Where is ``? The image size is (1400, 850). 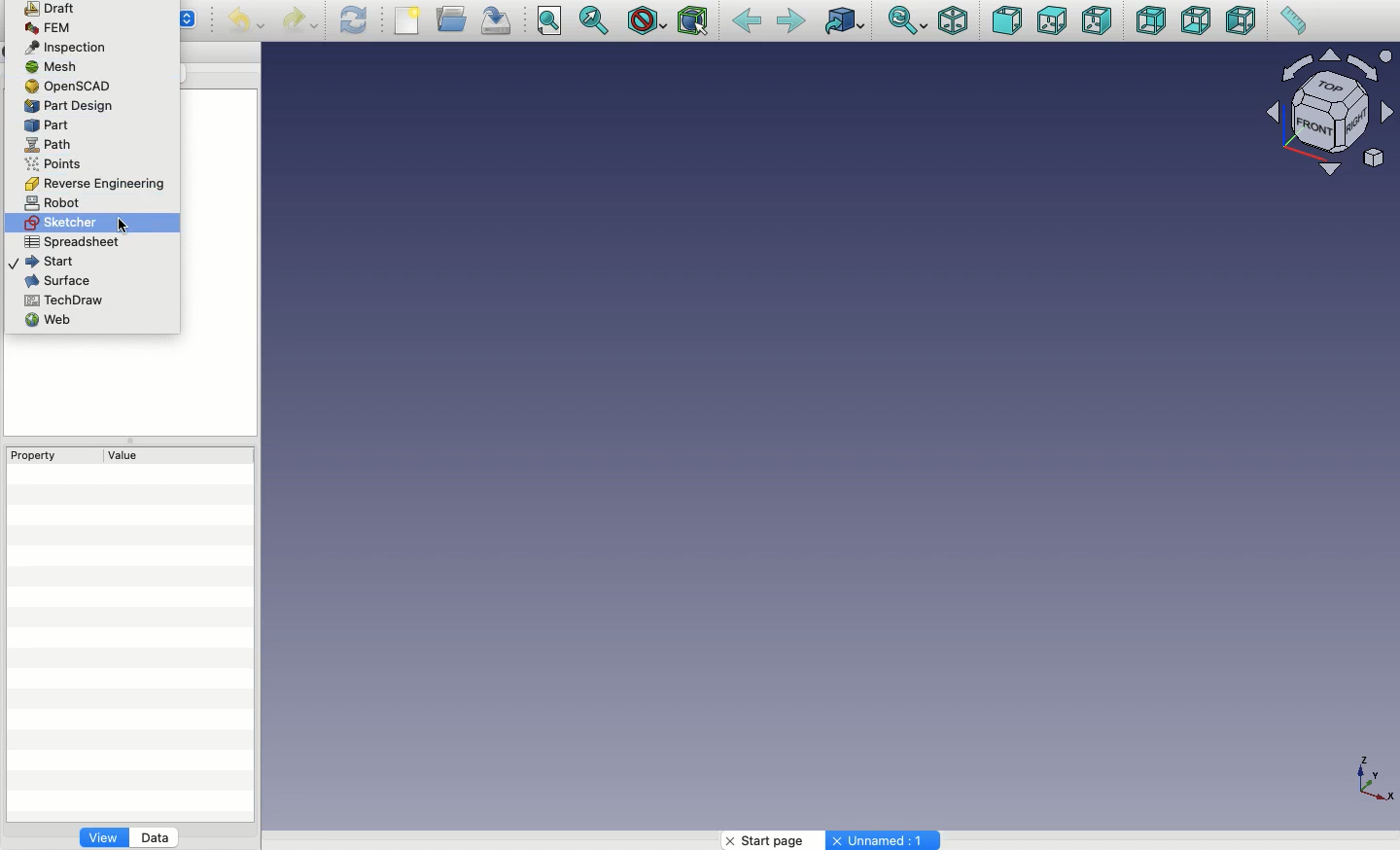  is located at coordinates (188, 18).